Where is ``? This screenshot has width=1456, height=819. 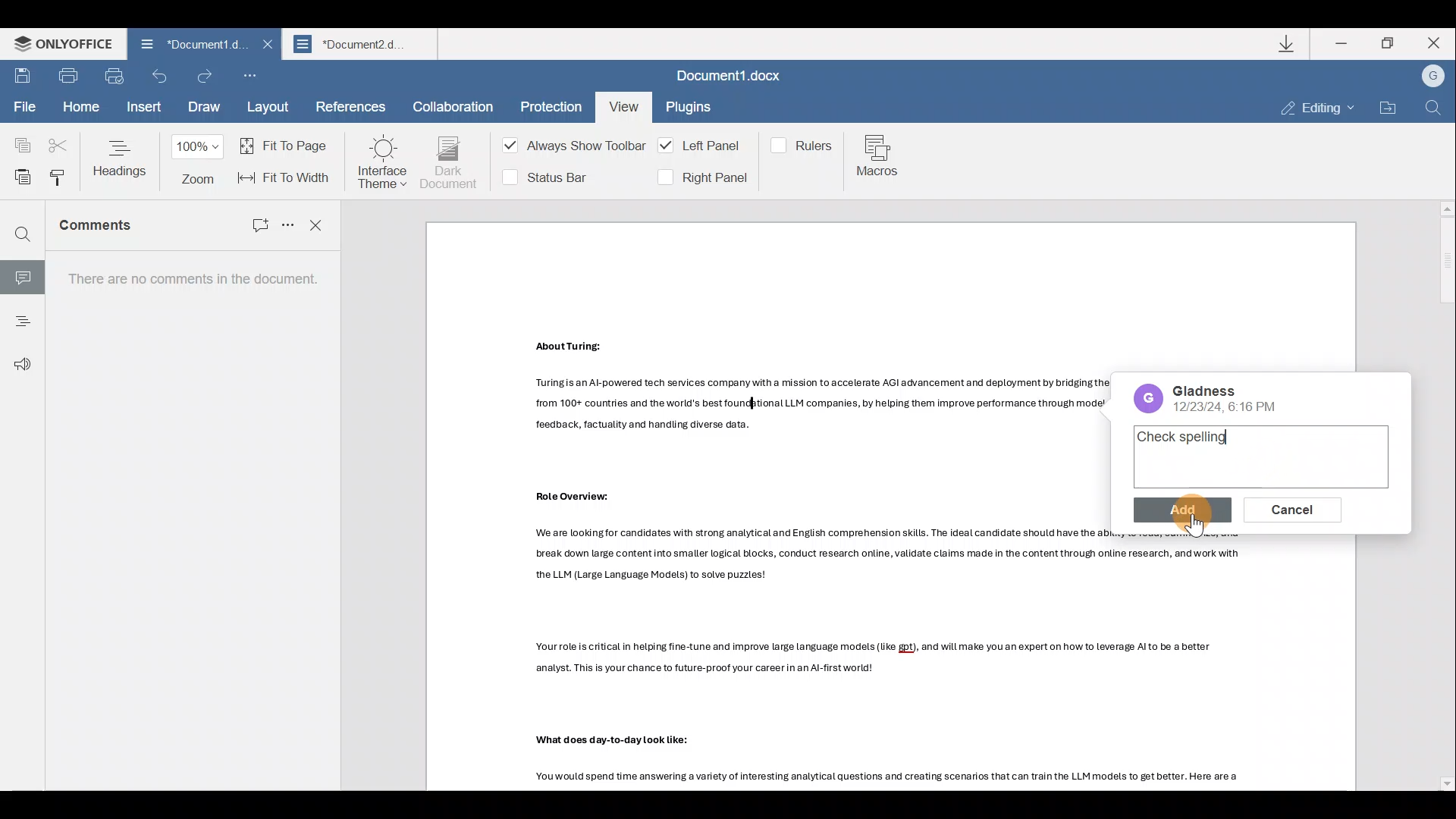  is located at coordinates (573, 495).